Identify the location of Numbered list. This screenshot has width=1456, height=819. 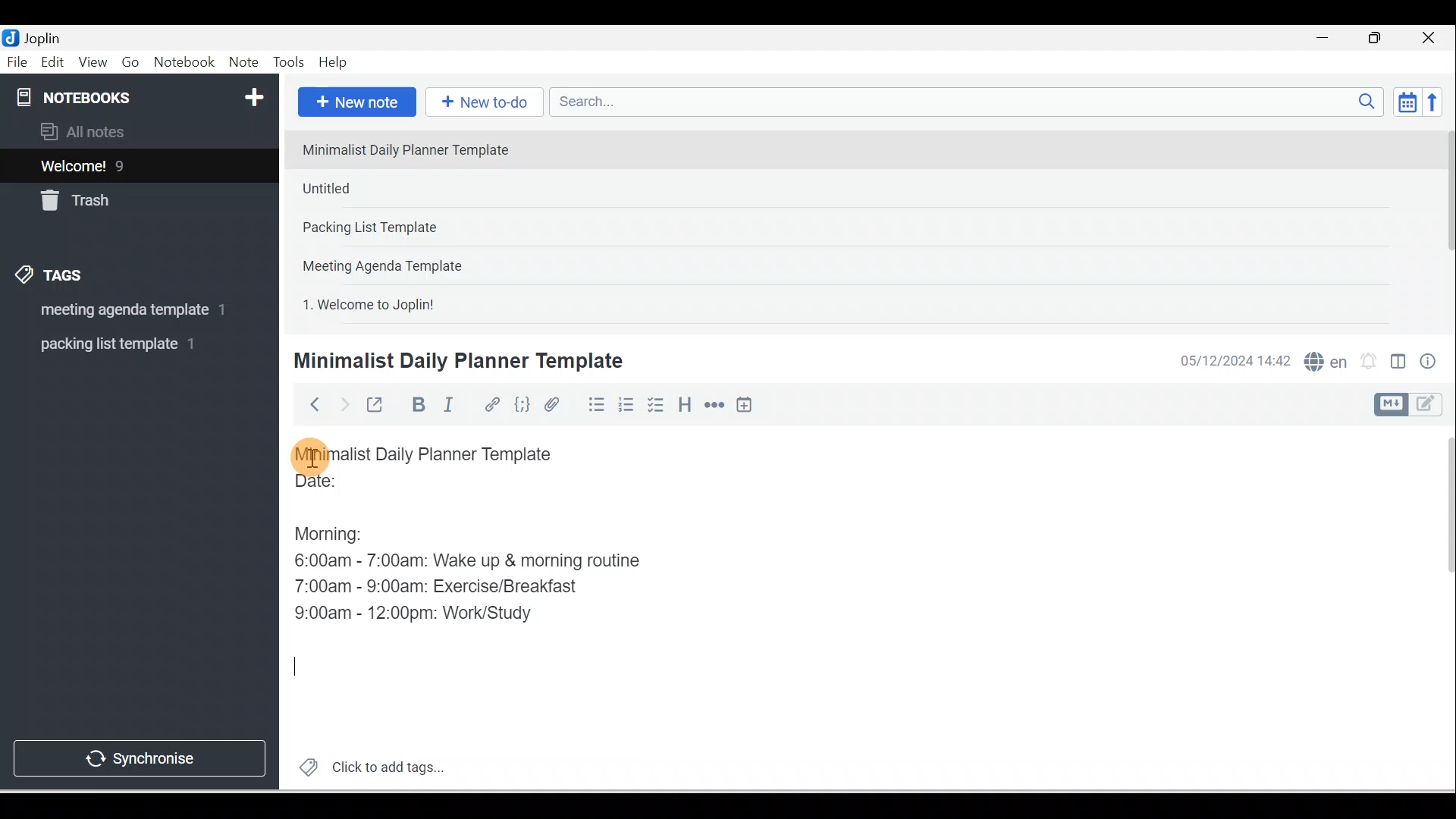
(626, 404).